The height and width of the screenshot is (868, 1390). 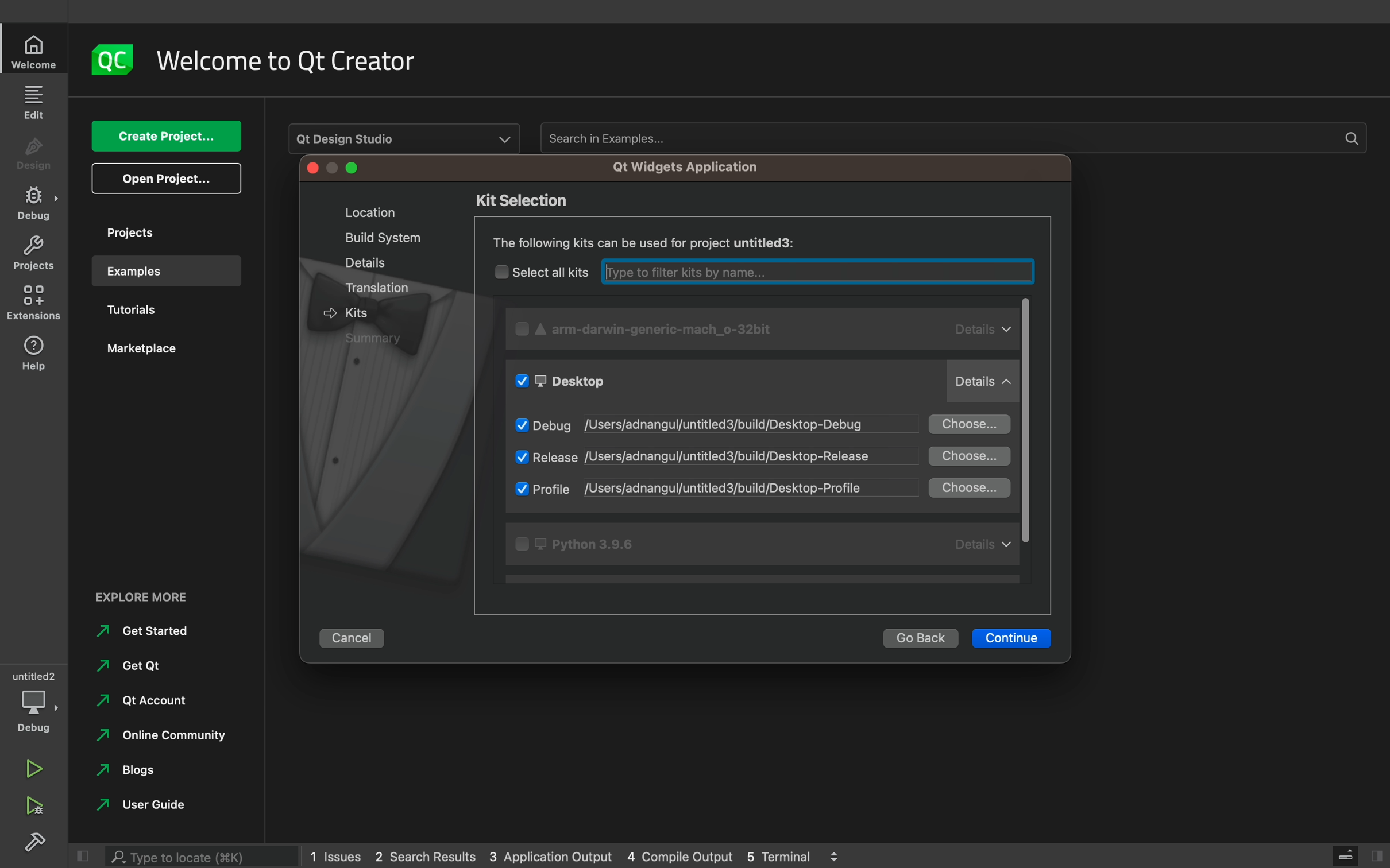 I want to click on kits, so click(x=364, y=312).